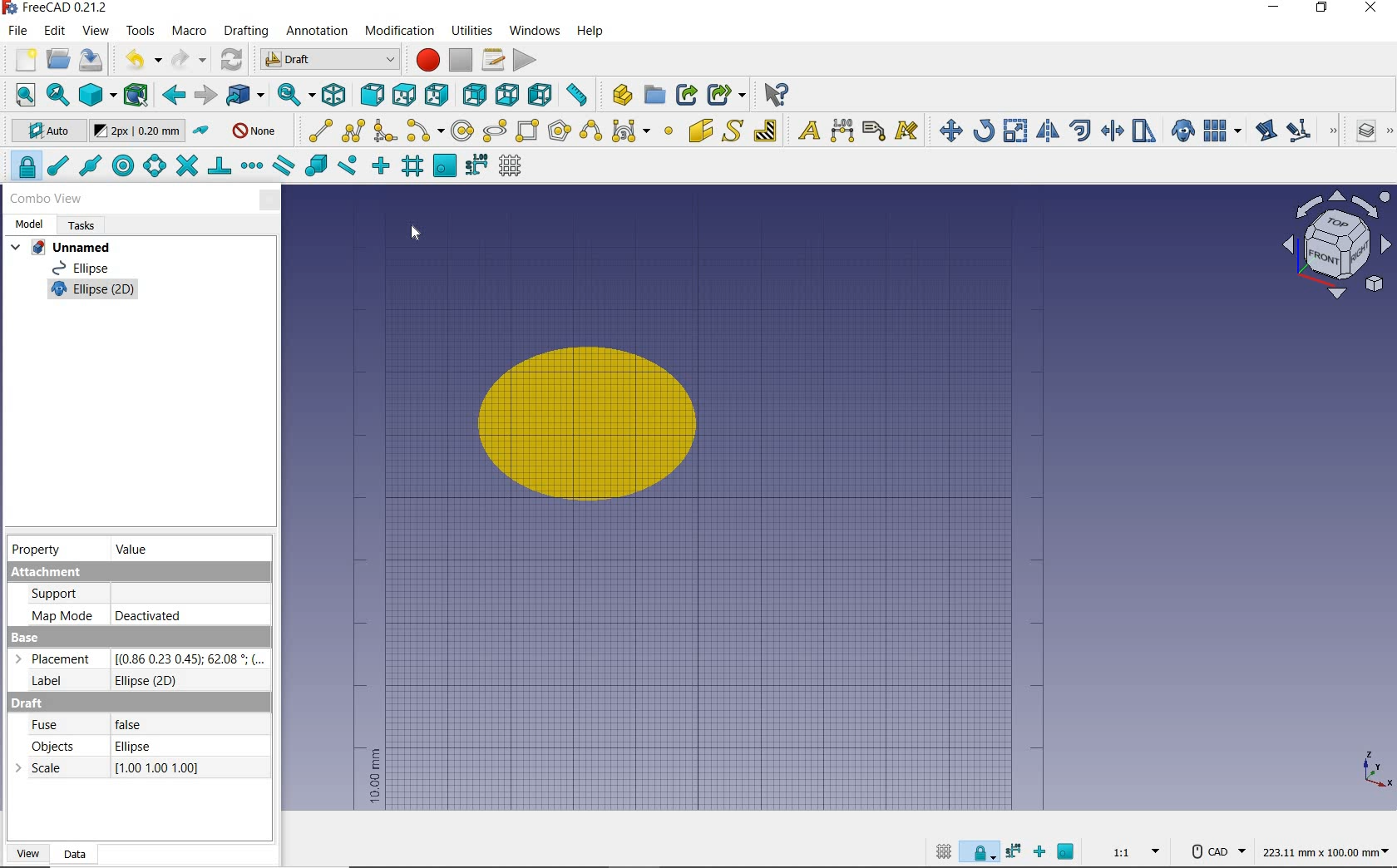 The width and height of the screenshot is (1397, 868). Describe the element at coordinates (440, 95) in the screenshot. I see `right` at that location.